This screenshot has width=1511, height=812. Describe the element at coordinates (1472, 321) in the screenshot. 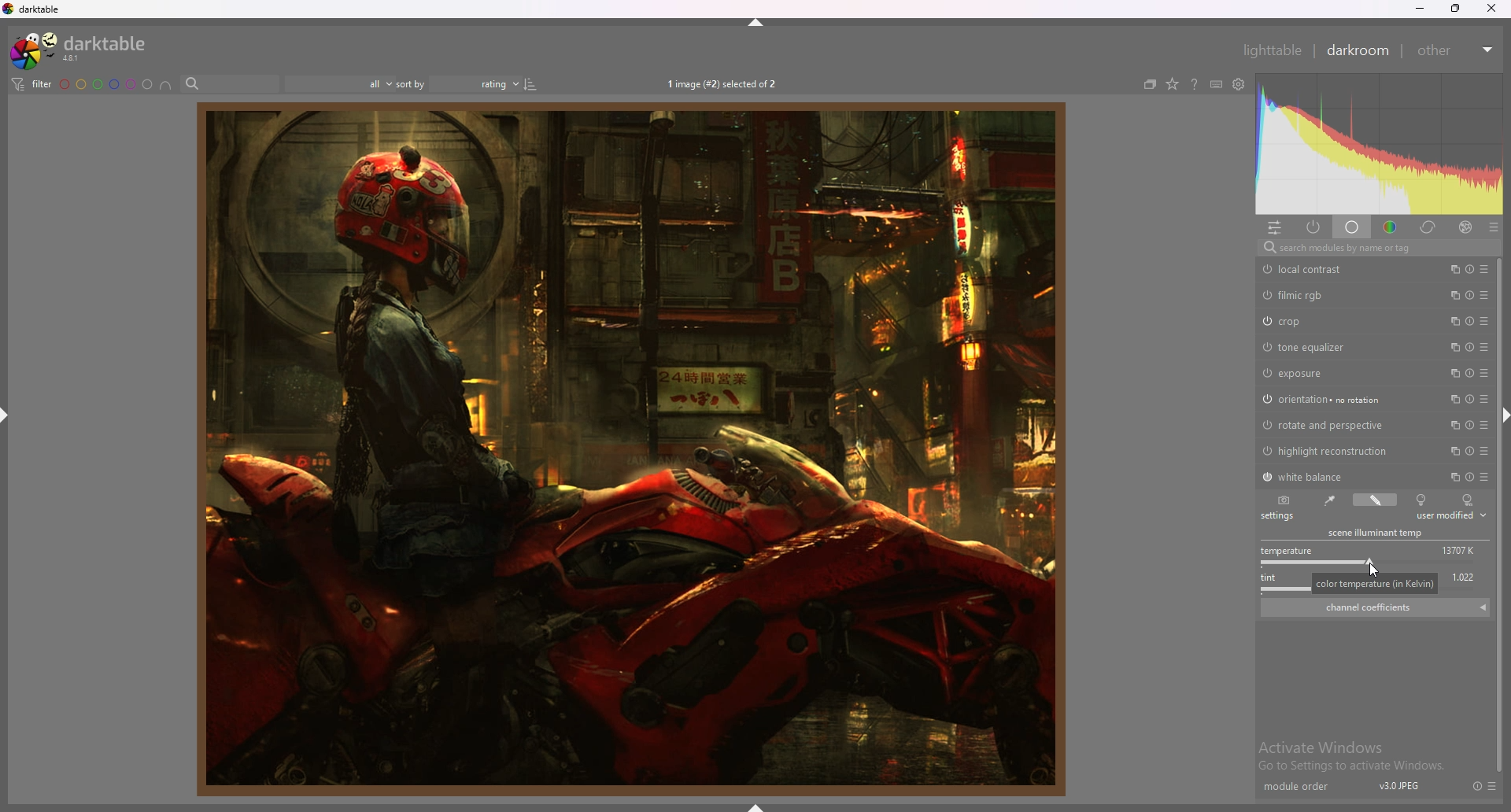

I see `reset` at that location.